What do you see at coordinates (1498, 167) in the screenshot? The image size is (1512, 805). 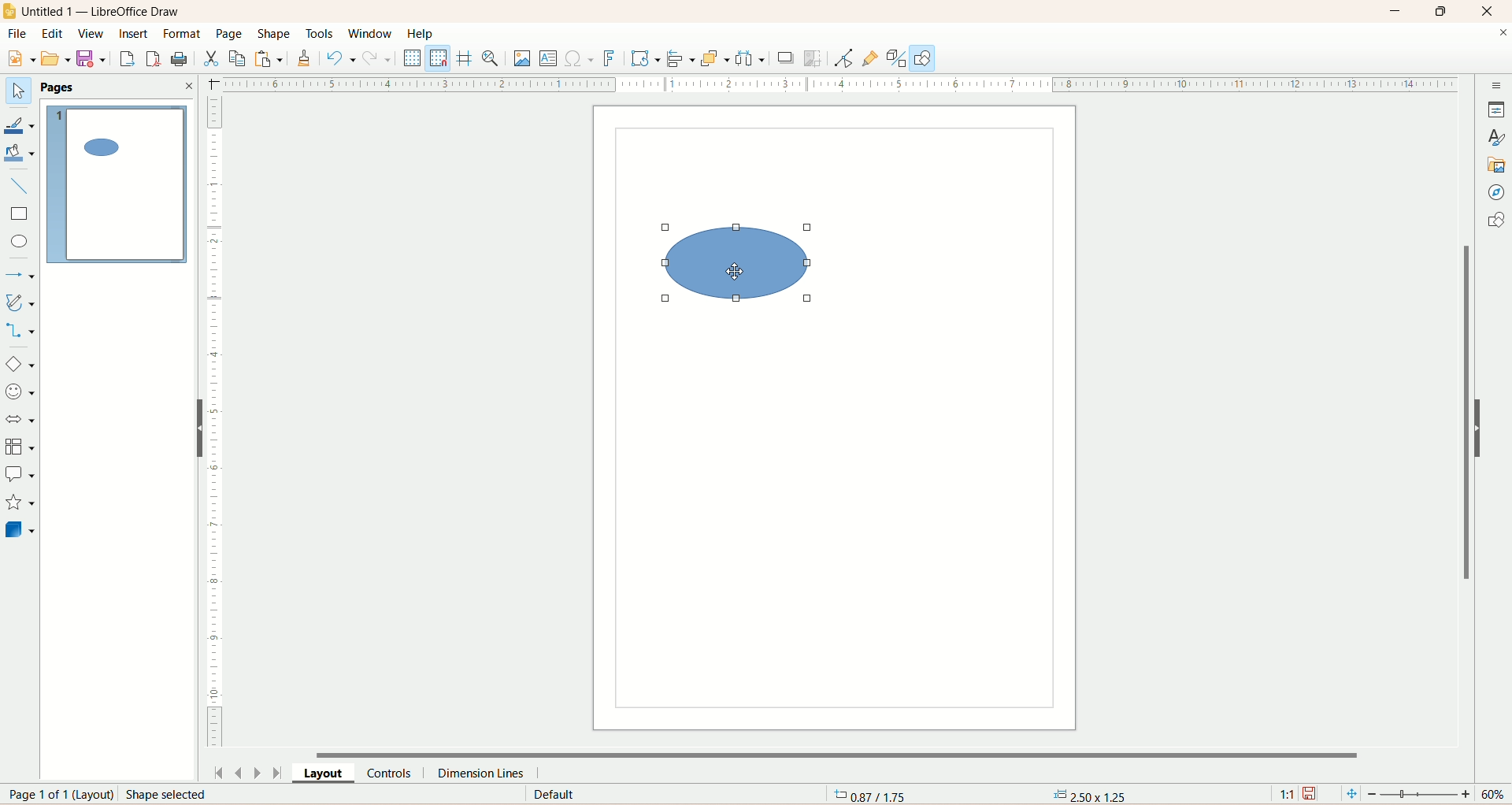 I see `gallery` at bounding box center [1498, 167].